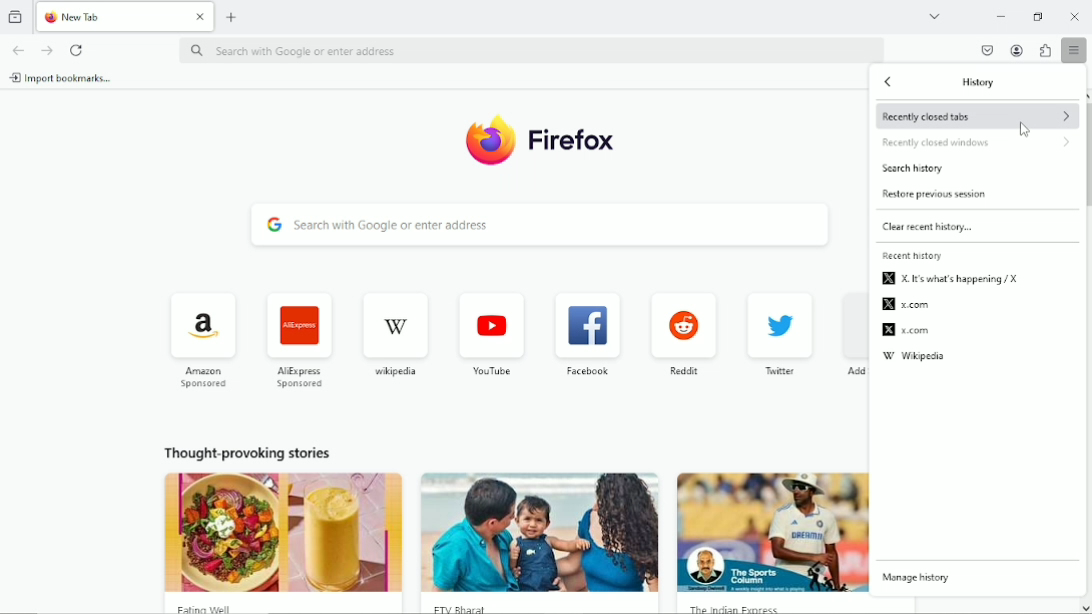  What do you see at coordinates (1076, 17) in the screenshot?
I see `Close` at bounding box center [1076, 17].